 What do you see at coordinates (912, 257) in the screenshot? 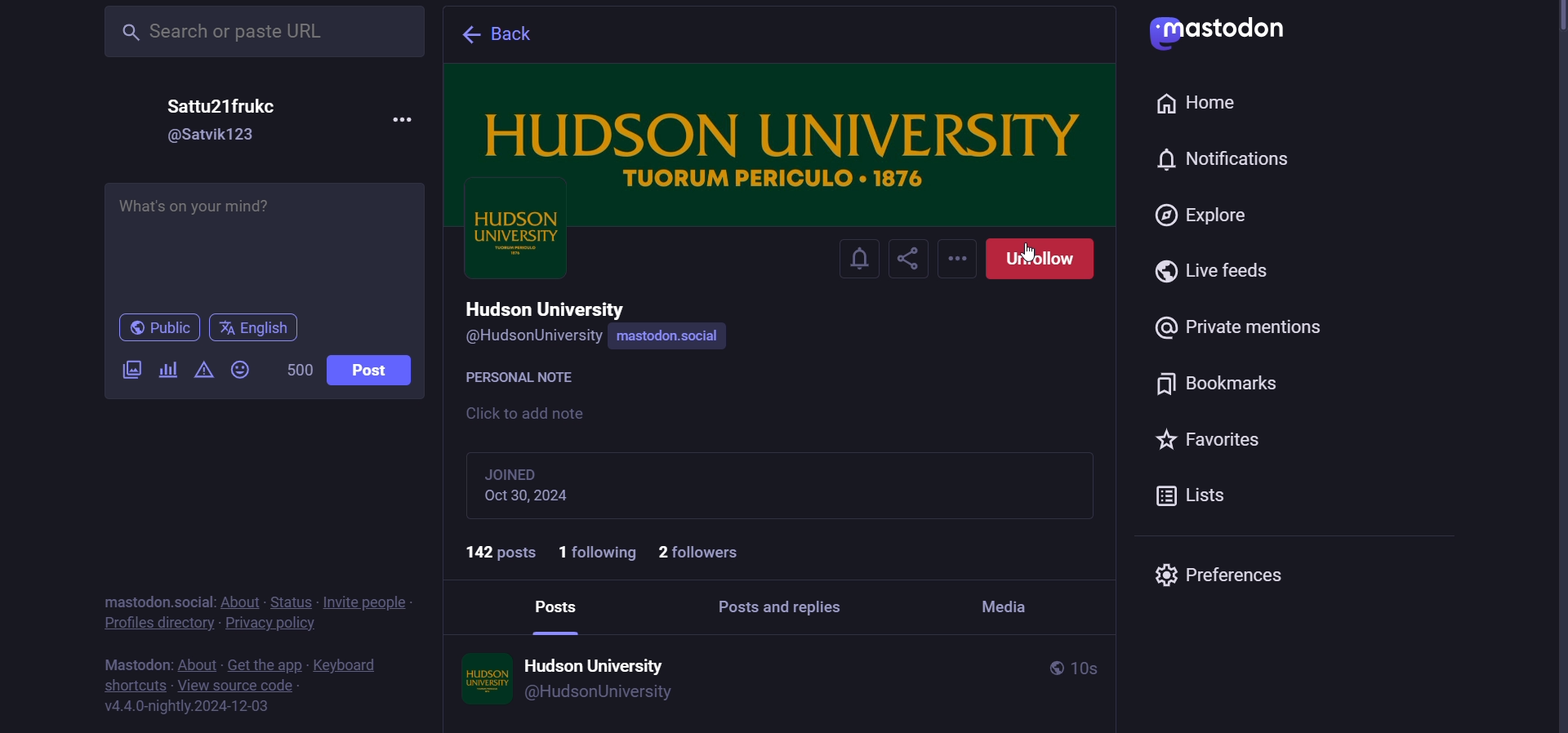
I see `share` at bounding box center [912, 257].